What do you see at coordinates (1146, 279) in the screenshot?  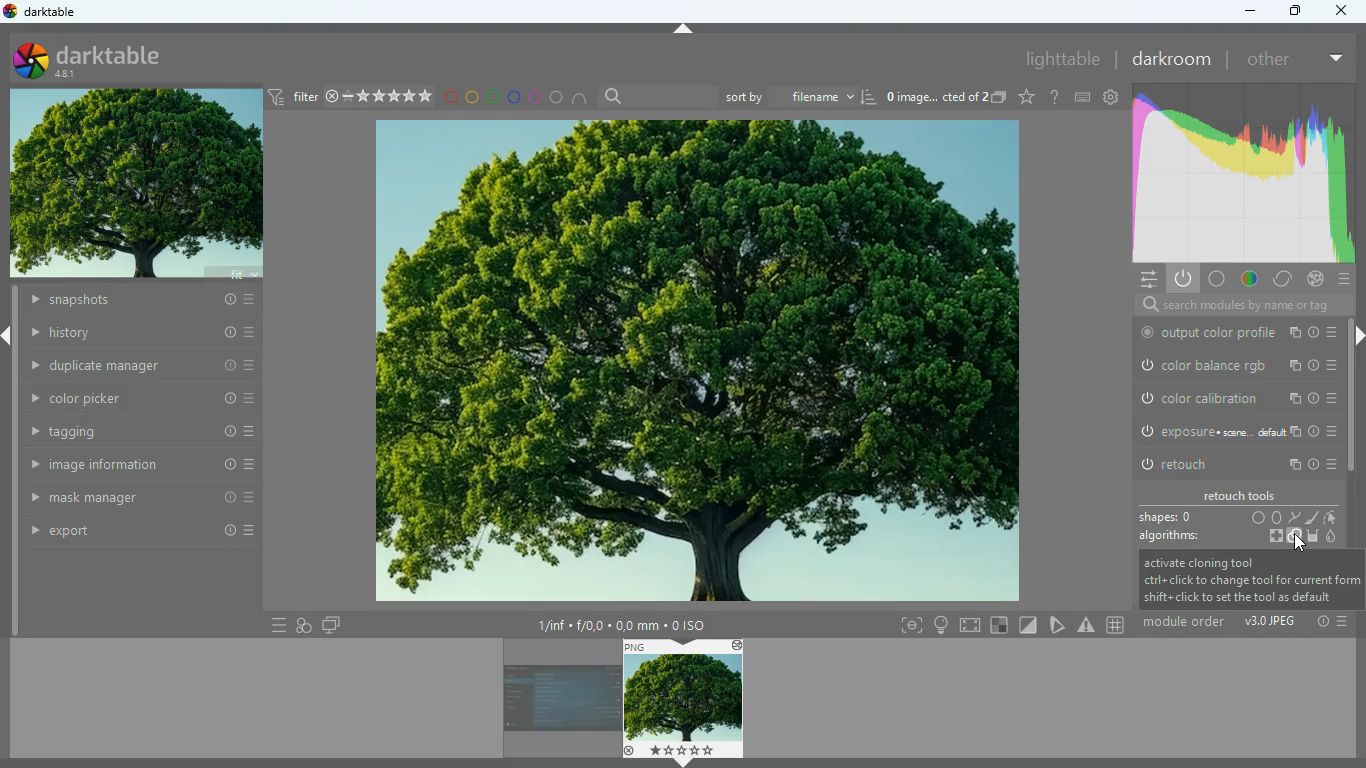 I see `settings` at bounding box center [1146, 279].